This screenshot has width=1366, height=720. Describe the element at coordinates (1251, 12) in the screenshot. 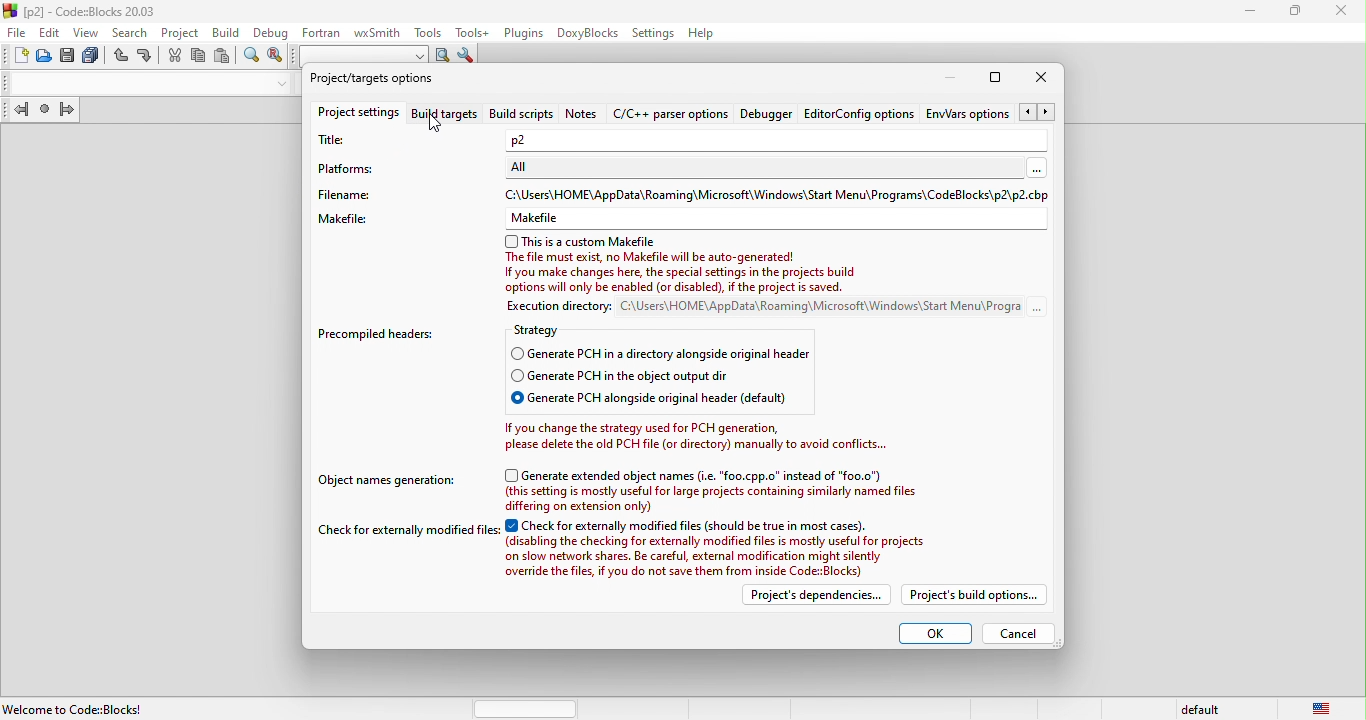

I see `minimize` at that location.